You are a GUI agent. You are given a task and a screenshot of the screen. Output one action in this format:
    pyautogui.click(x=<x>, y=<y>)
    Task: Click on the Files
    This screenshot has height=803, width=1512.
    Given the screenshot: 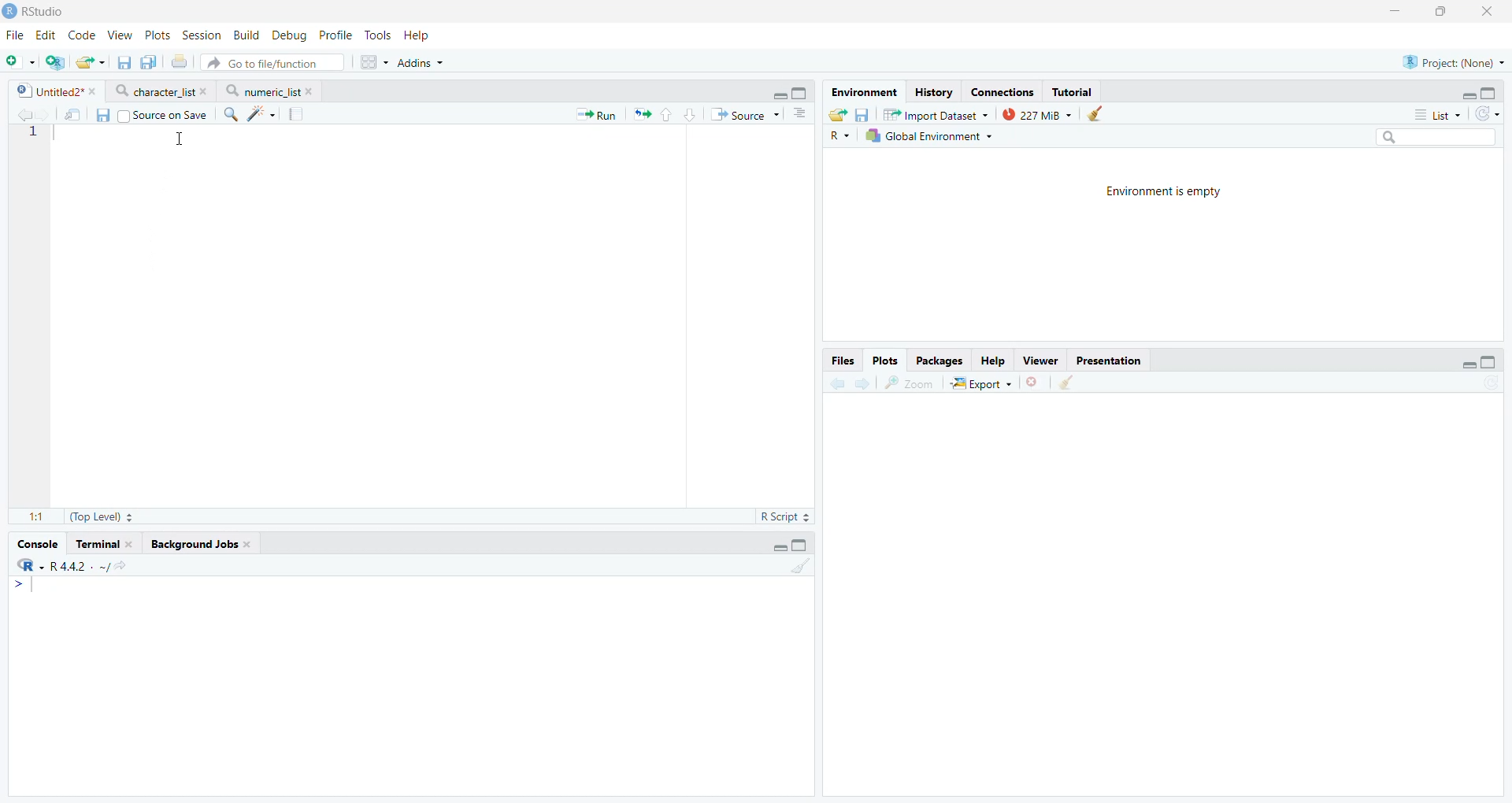 What is the action you would take?
    pyautogui.click(x=842, y=360)
    